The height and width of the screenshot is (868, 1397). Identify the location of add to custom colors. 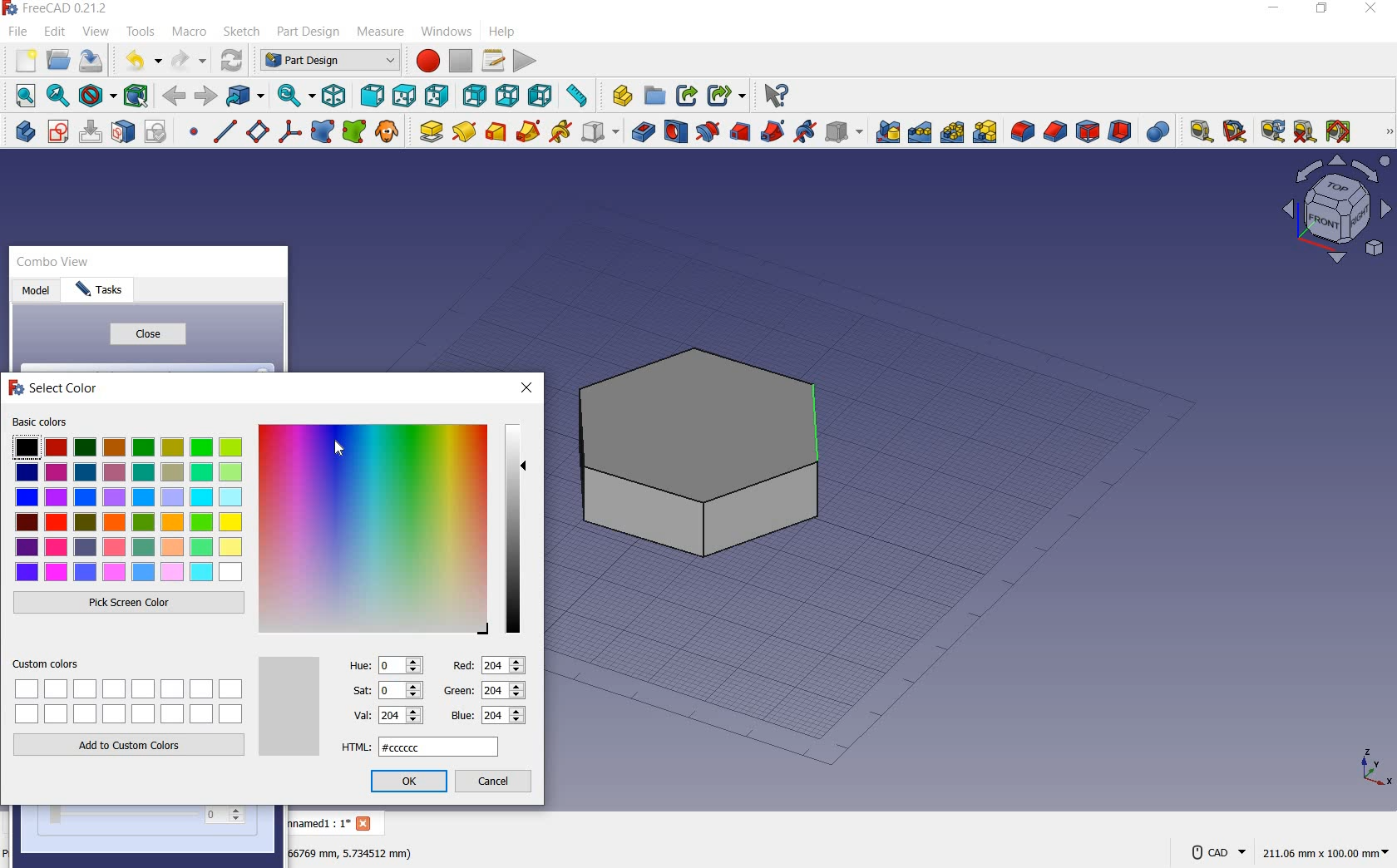
(130, 748).